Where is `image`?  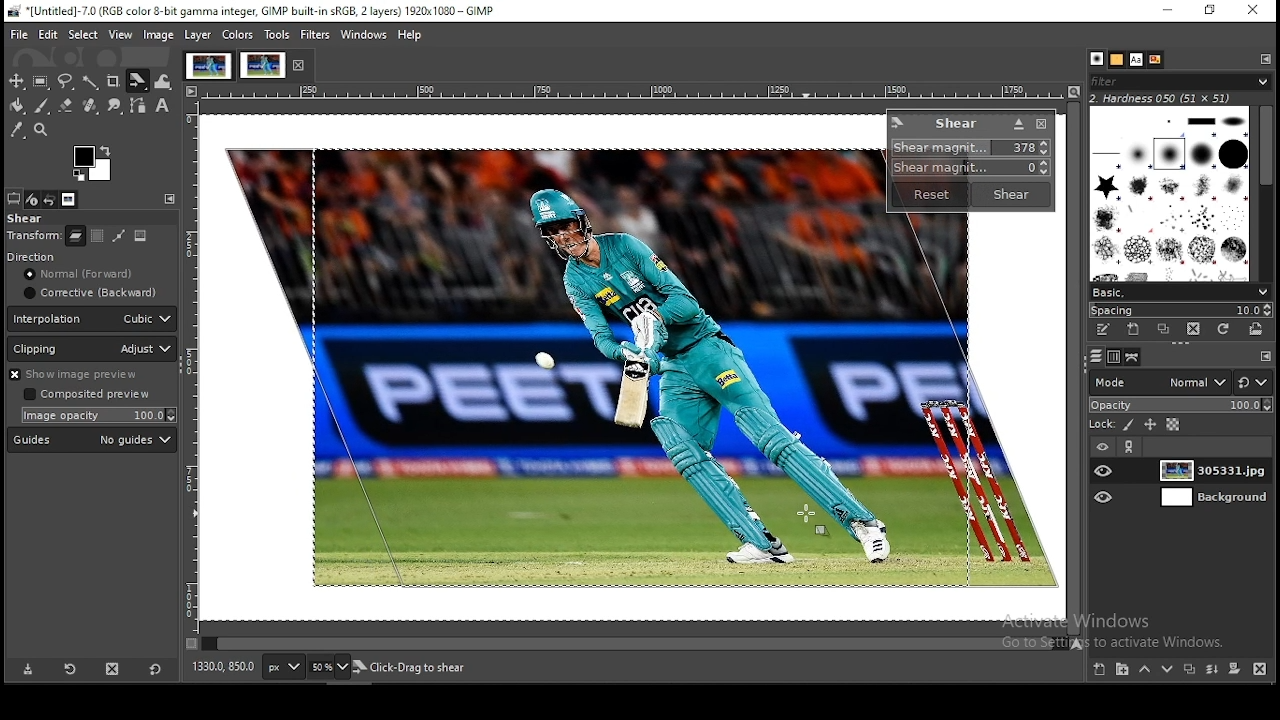
image is located at coordinates (600, 372).